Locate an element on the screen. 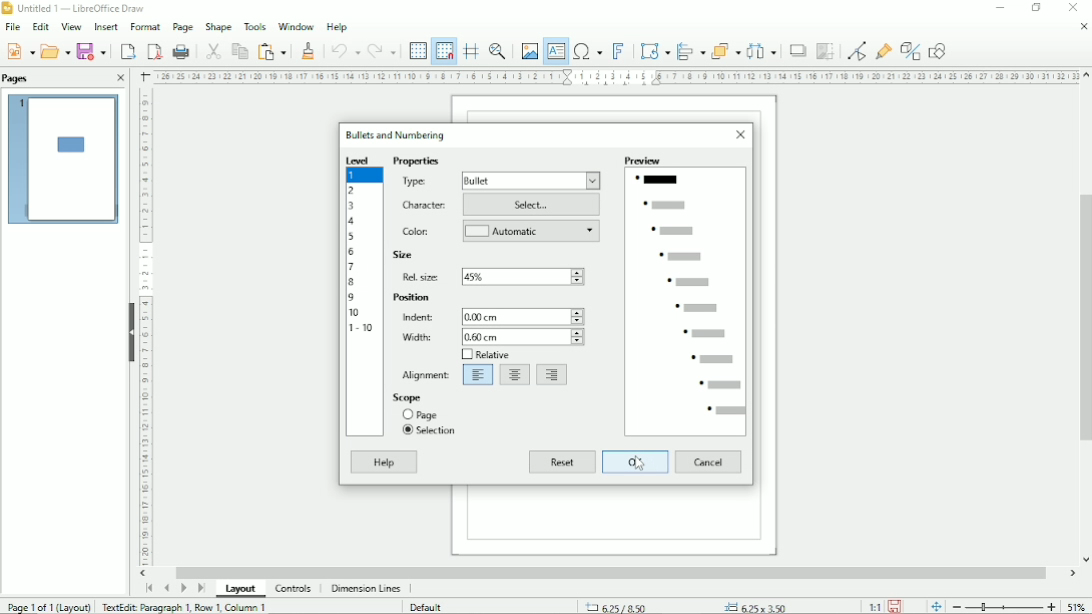 The image size is (1092, 614). 6.25x8.50 is located at coordinates (617, 606).